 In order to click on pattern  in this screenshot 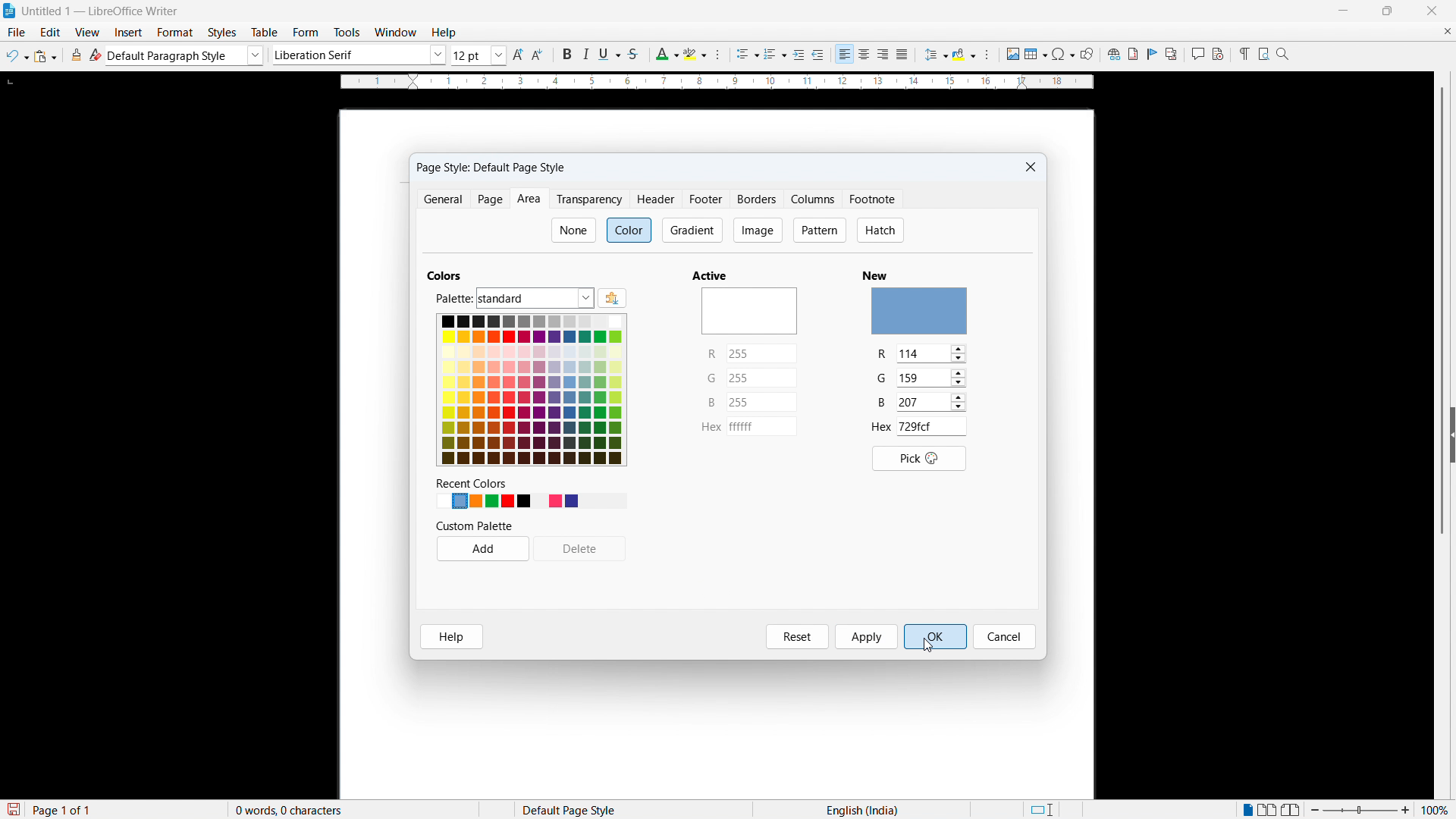, I will do `click(821, 231)`.